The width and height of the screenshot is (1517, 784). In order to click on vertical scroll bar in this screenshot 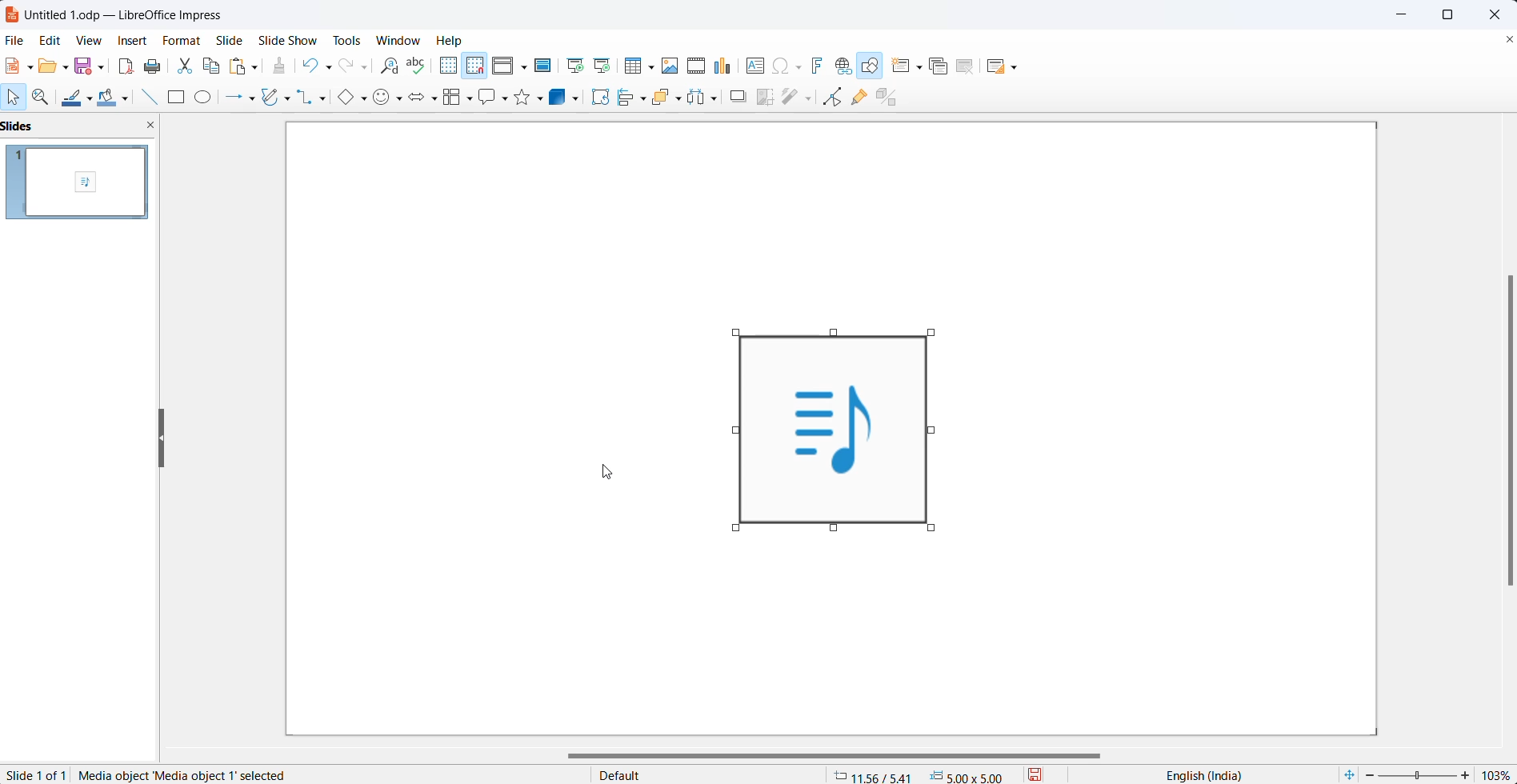, I will do `click(1505, 428)`.